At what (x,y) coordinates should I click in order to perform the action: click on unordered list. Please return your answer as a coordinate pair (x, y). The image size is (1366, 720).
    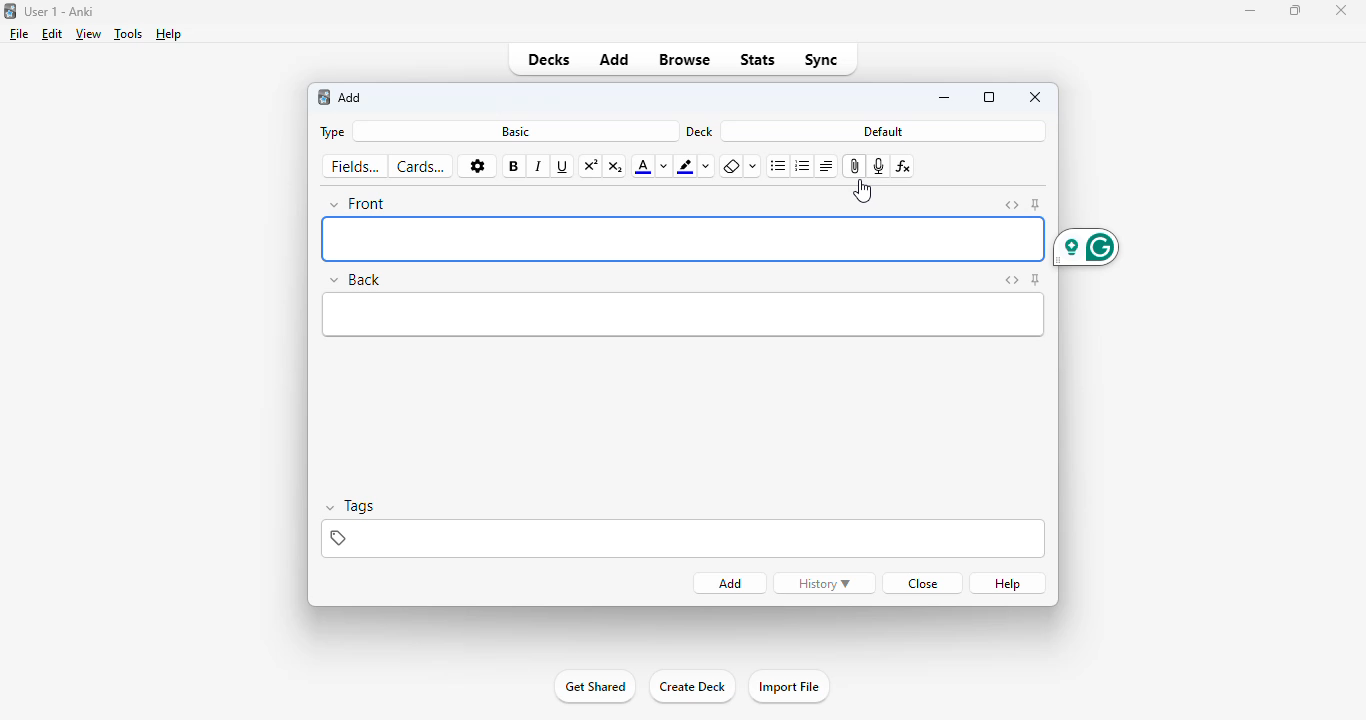
    Looking at the image, I should click on (778, 166).